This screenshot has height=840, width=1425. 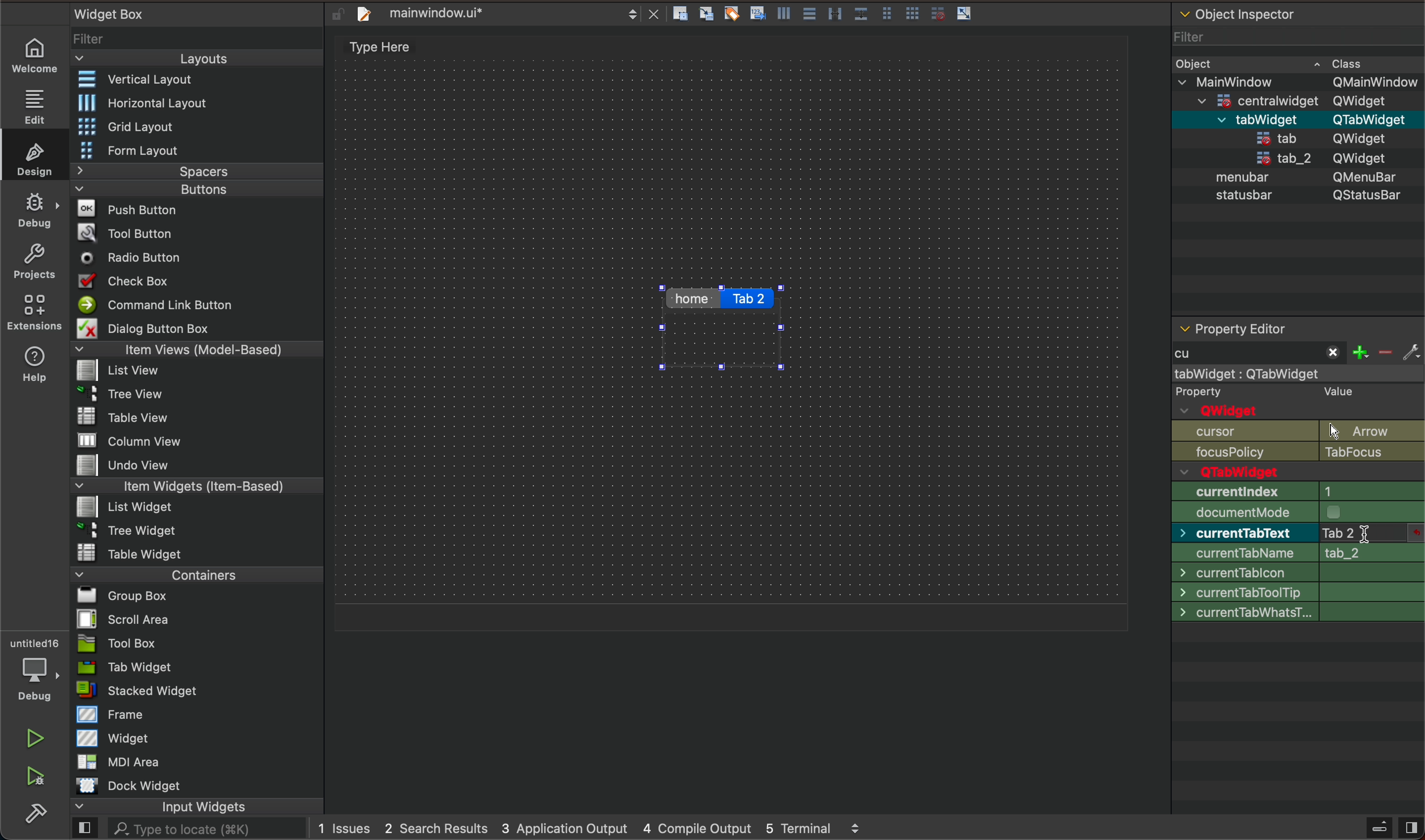 I want to click on input widgets, so click(x=199, y=808).